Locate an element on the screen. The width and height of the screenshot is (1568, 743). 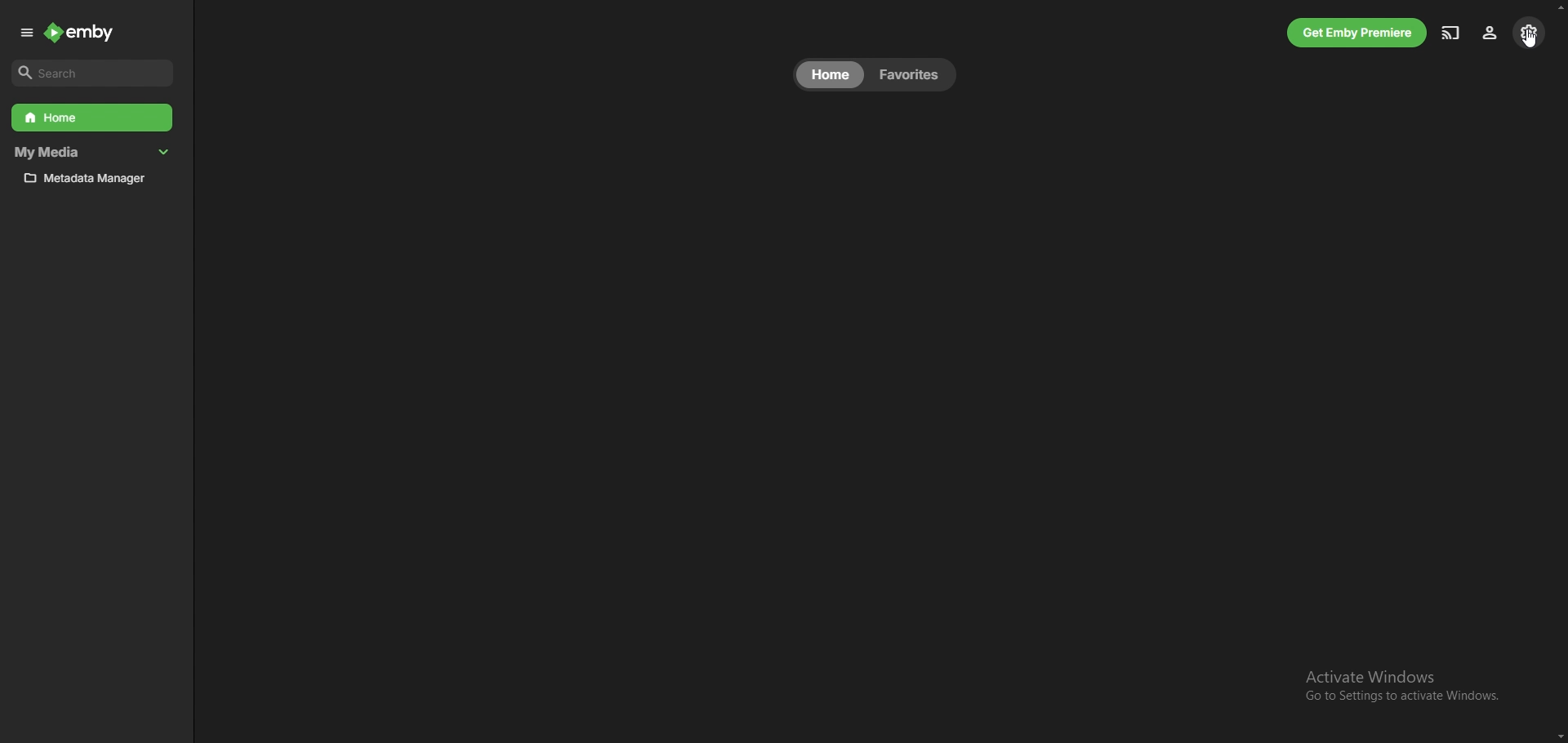
cursor is located at coordinates (1531, 40).